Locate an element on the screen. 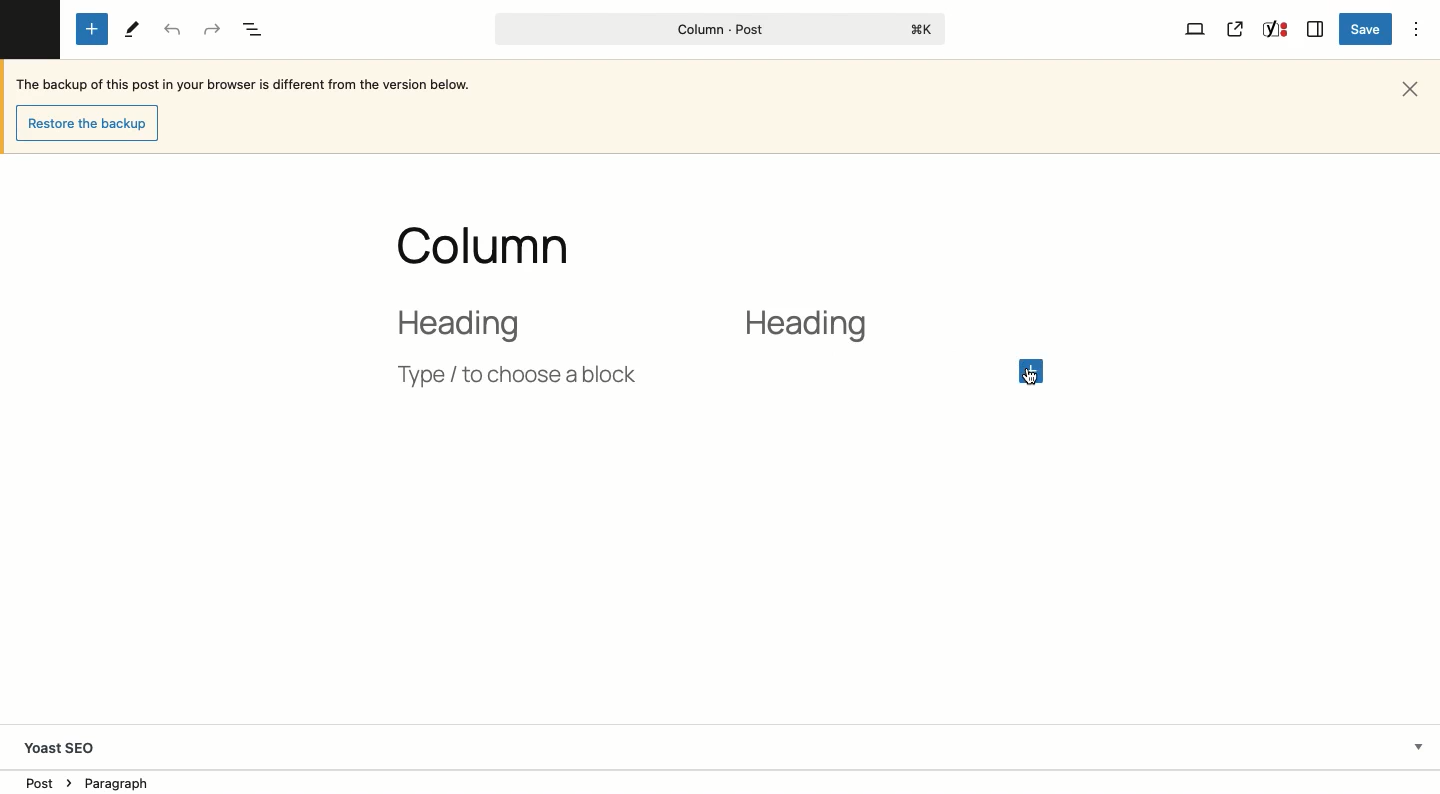  Click is located at coordinates (1035, 372).